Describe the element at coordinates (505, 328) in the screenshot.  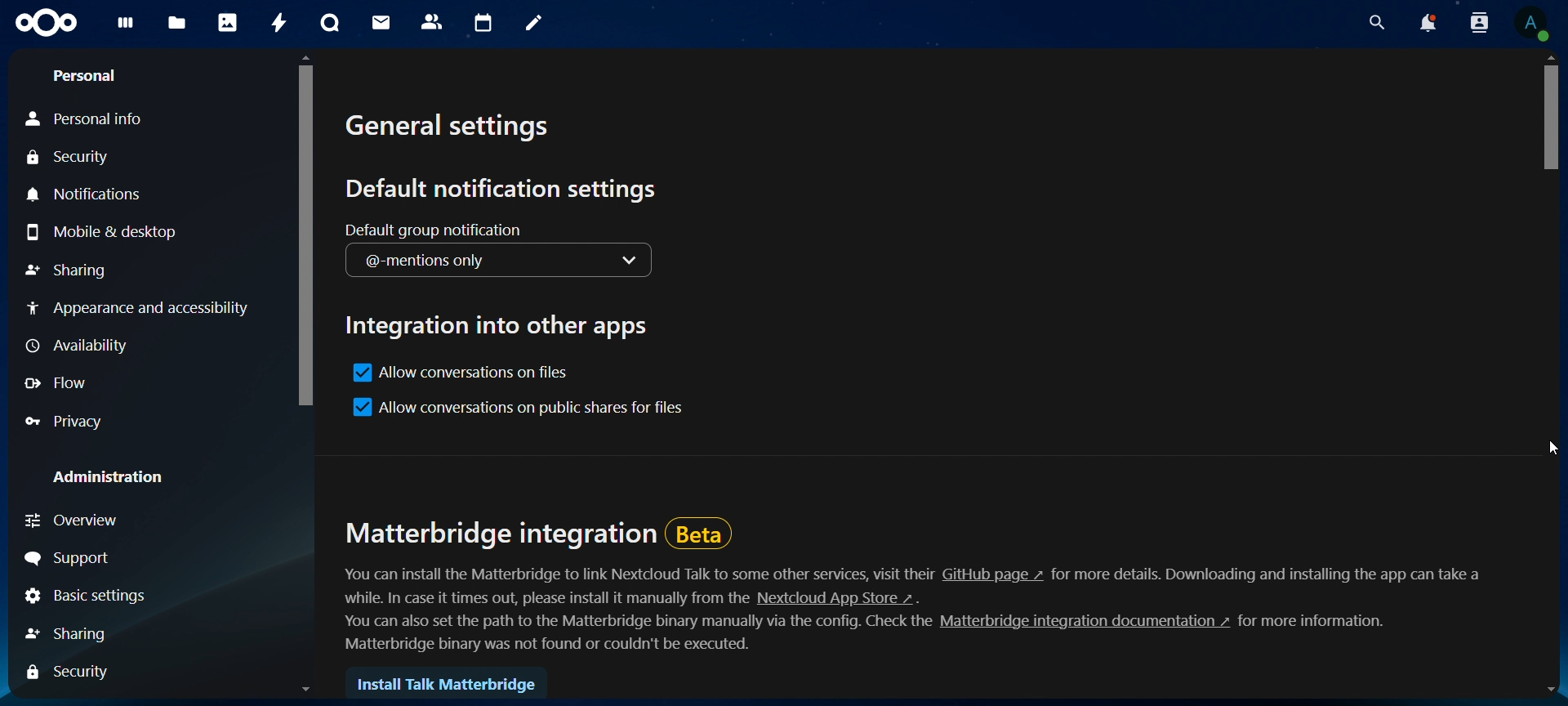
I see `integration into other apps` at that location.